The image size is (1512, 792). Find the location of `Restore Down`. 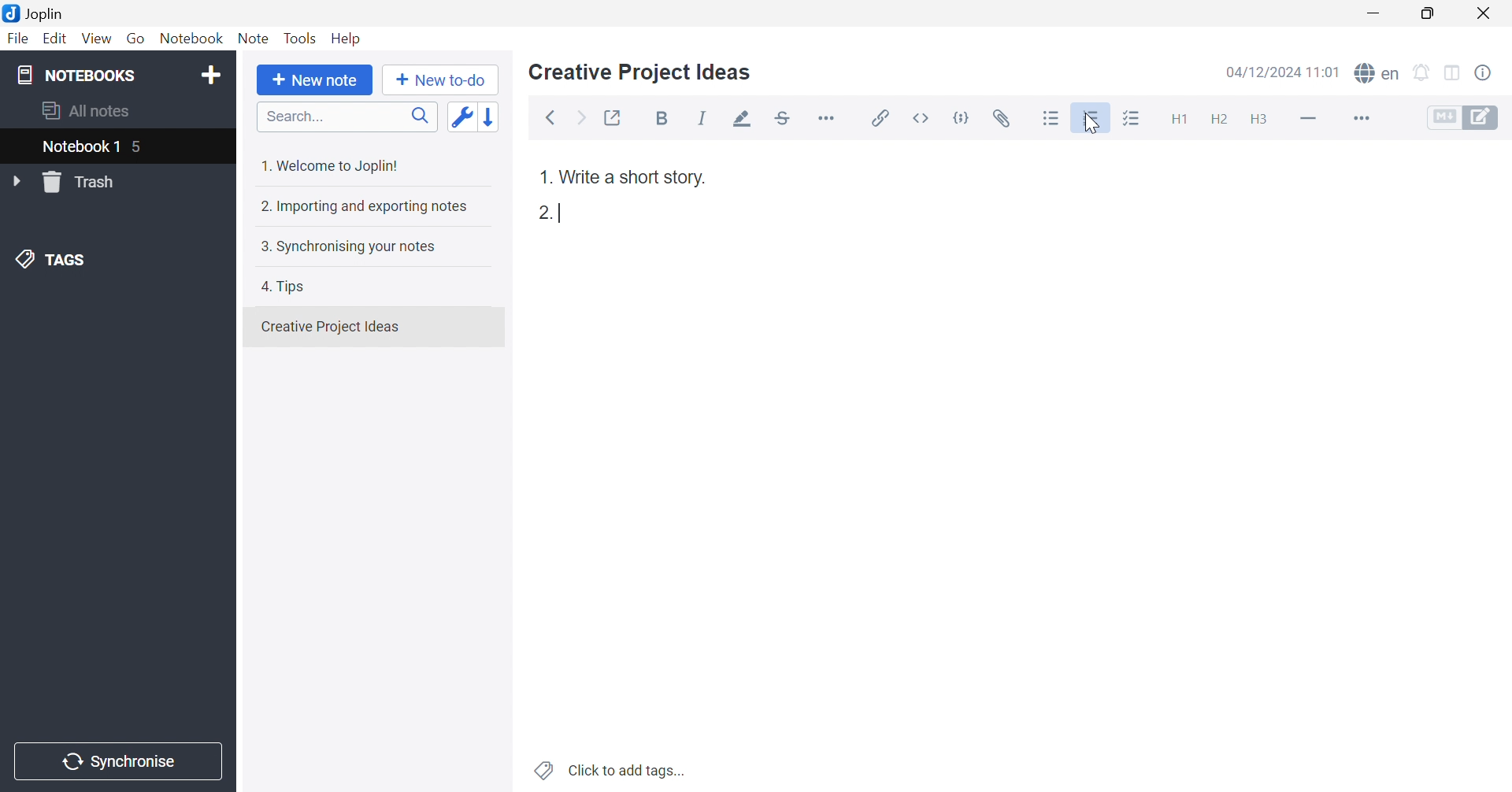

Restore Down is located at coordinates (1435, 15).